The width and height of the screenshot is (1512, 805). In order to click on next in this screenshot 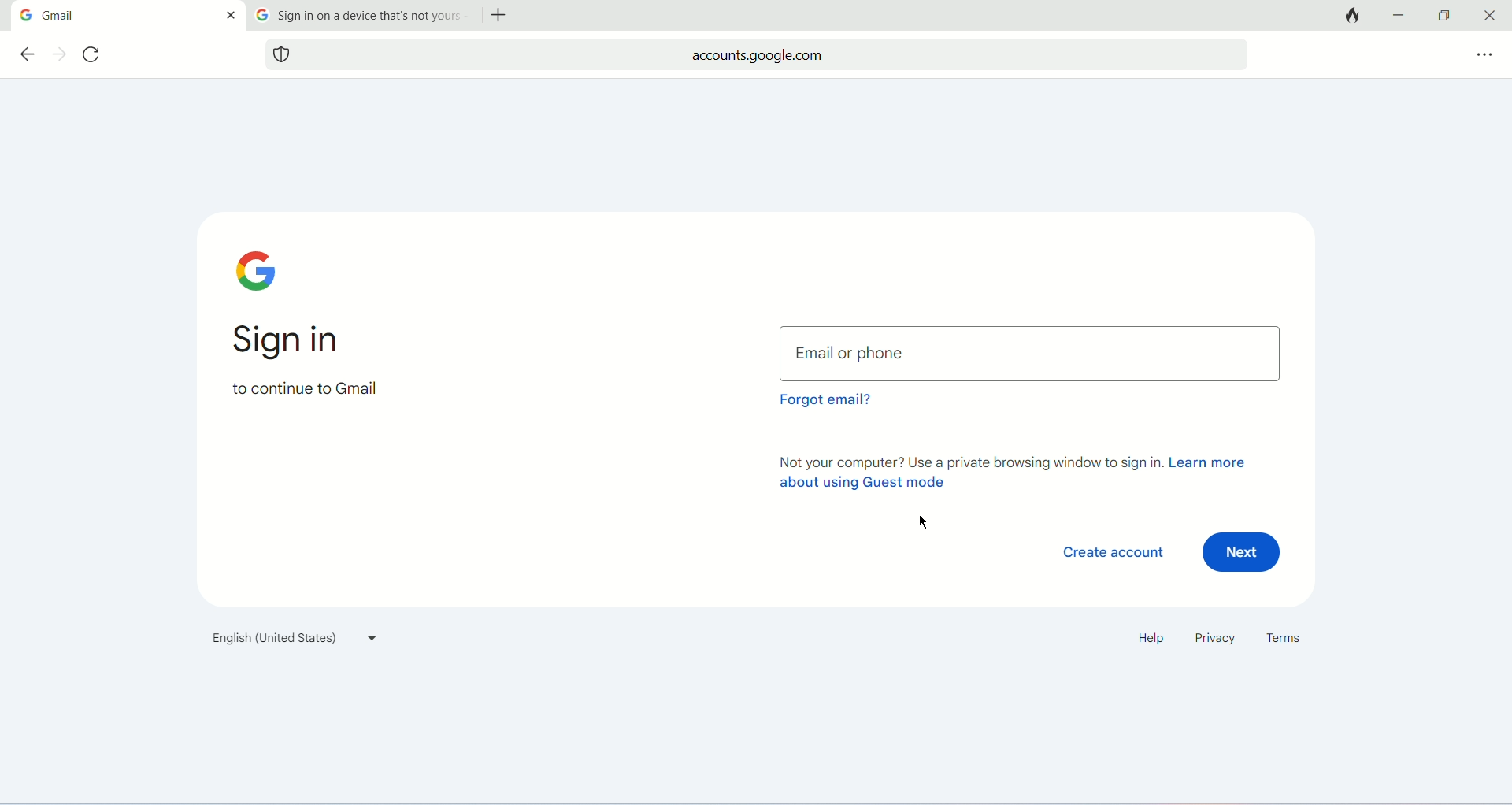, I will do `click(1244, 553)`.